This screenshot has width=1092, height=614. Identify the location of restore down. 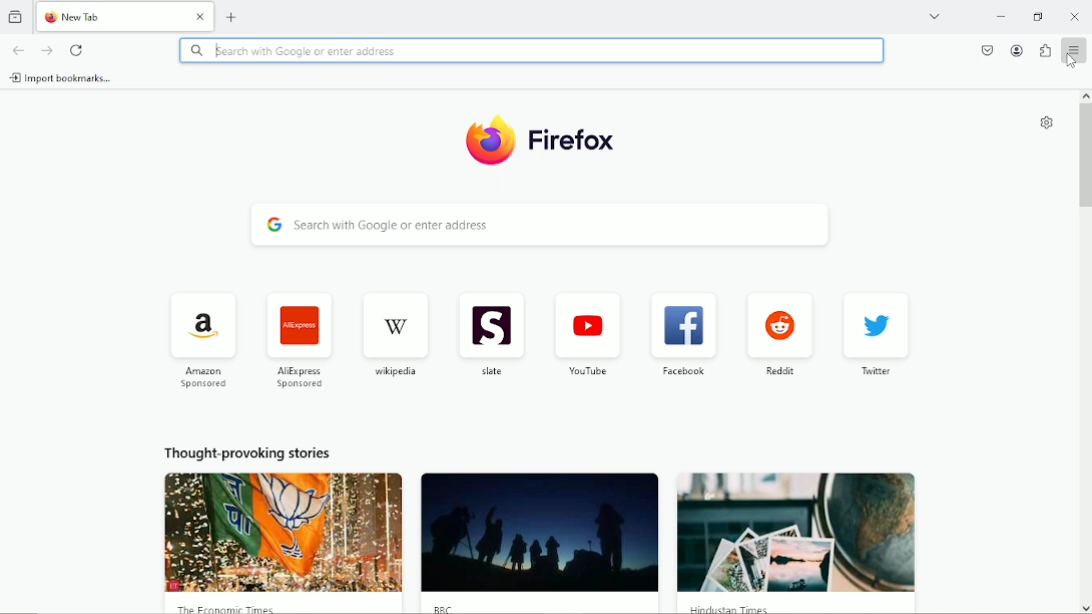
(1039, 16).